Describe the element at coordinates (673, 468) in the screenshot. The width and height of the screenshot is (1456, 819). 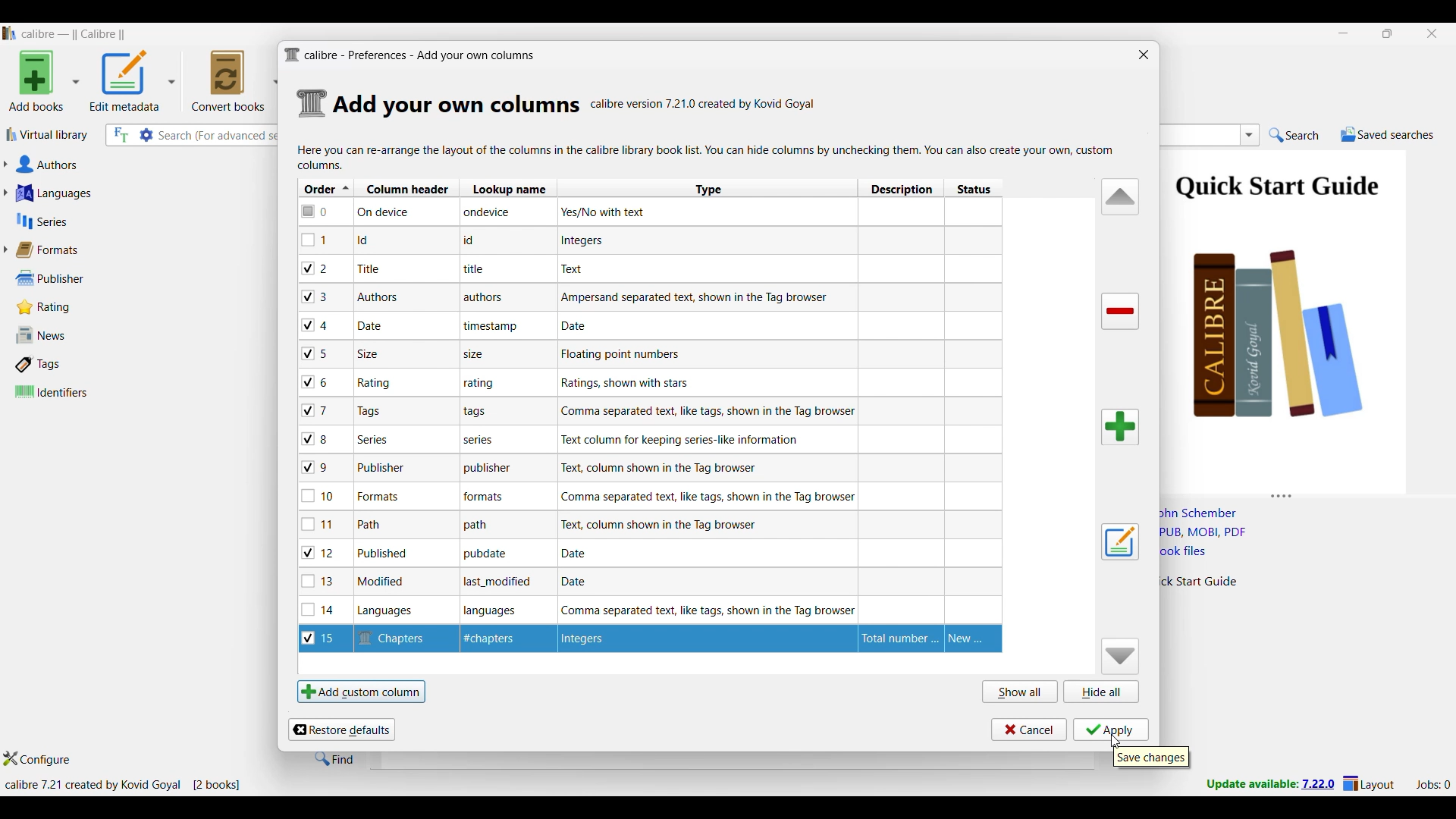
I see `Explanation` at that location.